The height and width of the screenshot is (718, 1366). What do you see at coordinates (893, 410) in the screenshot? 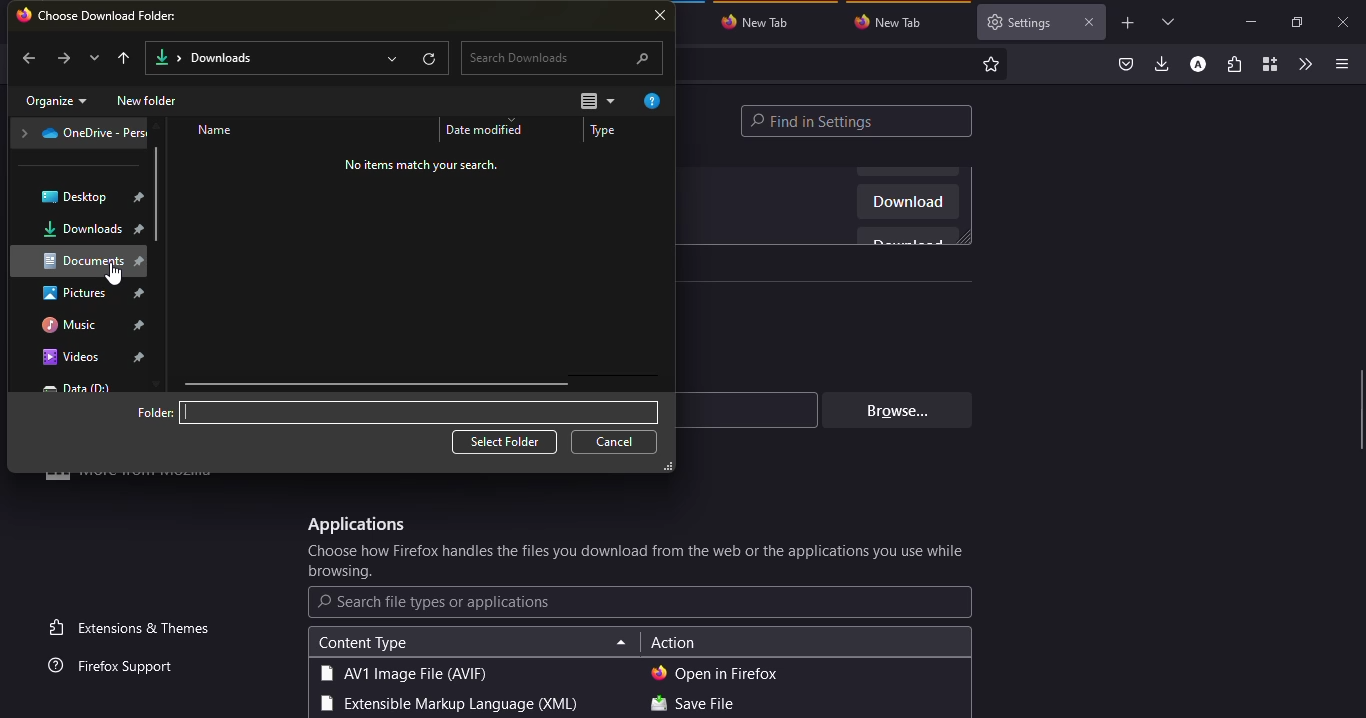
I see `browse` at bounding box center [893, 410].